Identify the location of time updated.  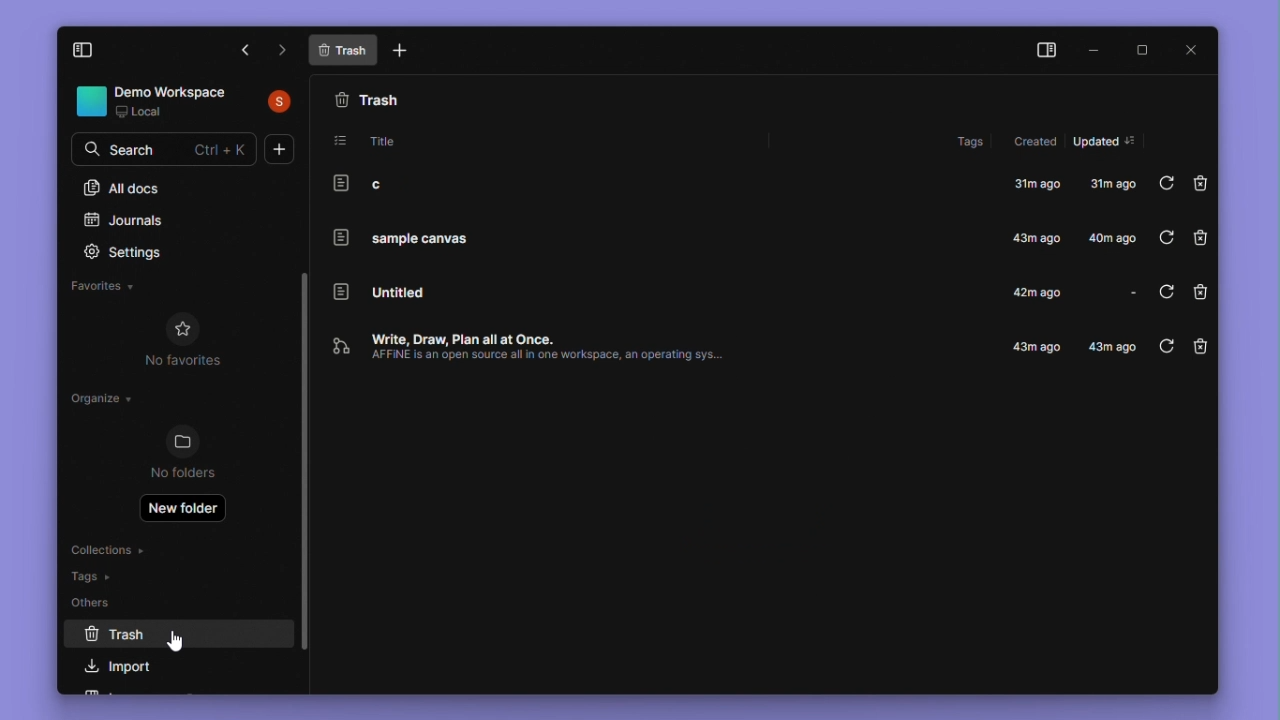
(1115, 239).